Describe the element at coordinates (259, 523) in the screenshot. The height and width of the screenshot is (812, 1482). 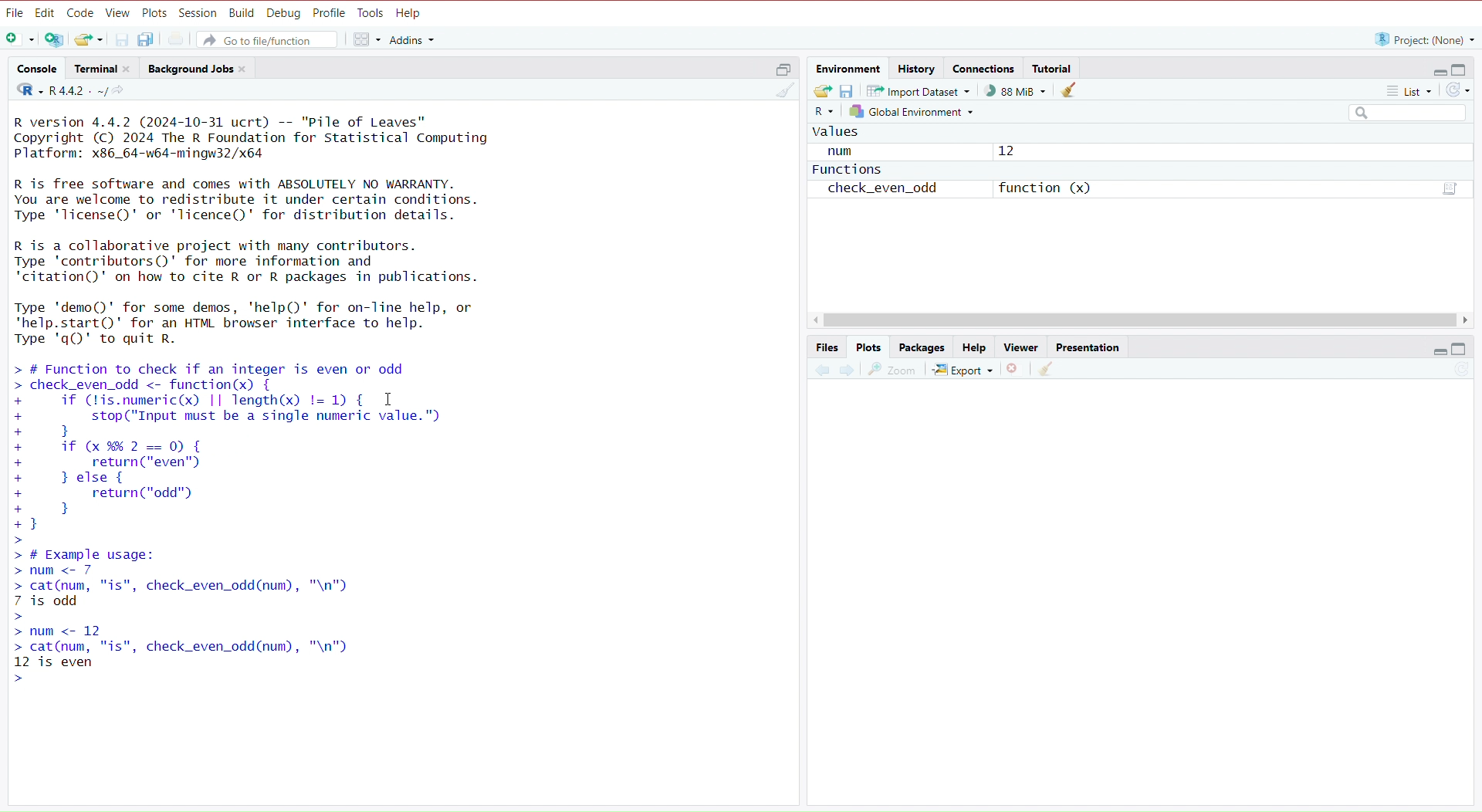
I see `> # Function to check if an integer is even or oddcheck_even_odd <- function(x) {if (tis.numeric() || length(x) '=1) { Istop("Input must be a single numeric value.™)}if (x%62==0 {return("even")} else {return("odd")}}# Example usage:num <- 7cat(num, "is", check_even_odd(num), "\n") 7 is odd num <- 12cat(num, "is", check_even_odd(num), "\n") 12 is even|` at that location.